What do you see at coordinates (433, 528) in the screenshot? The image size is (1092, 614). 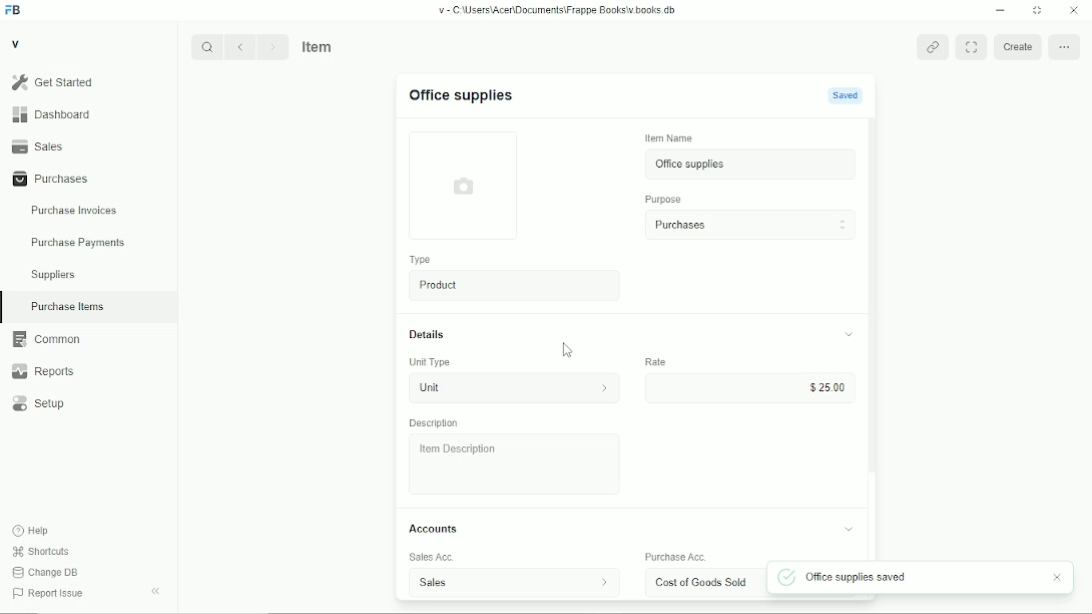 I see `accounts` at bounding box center [433, 528].